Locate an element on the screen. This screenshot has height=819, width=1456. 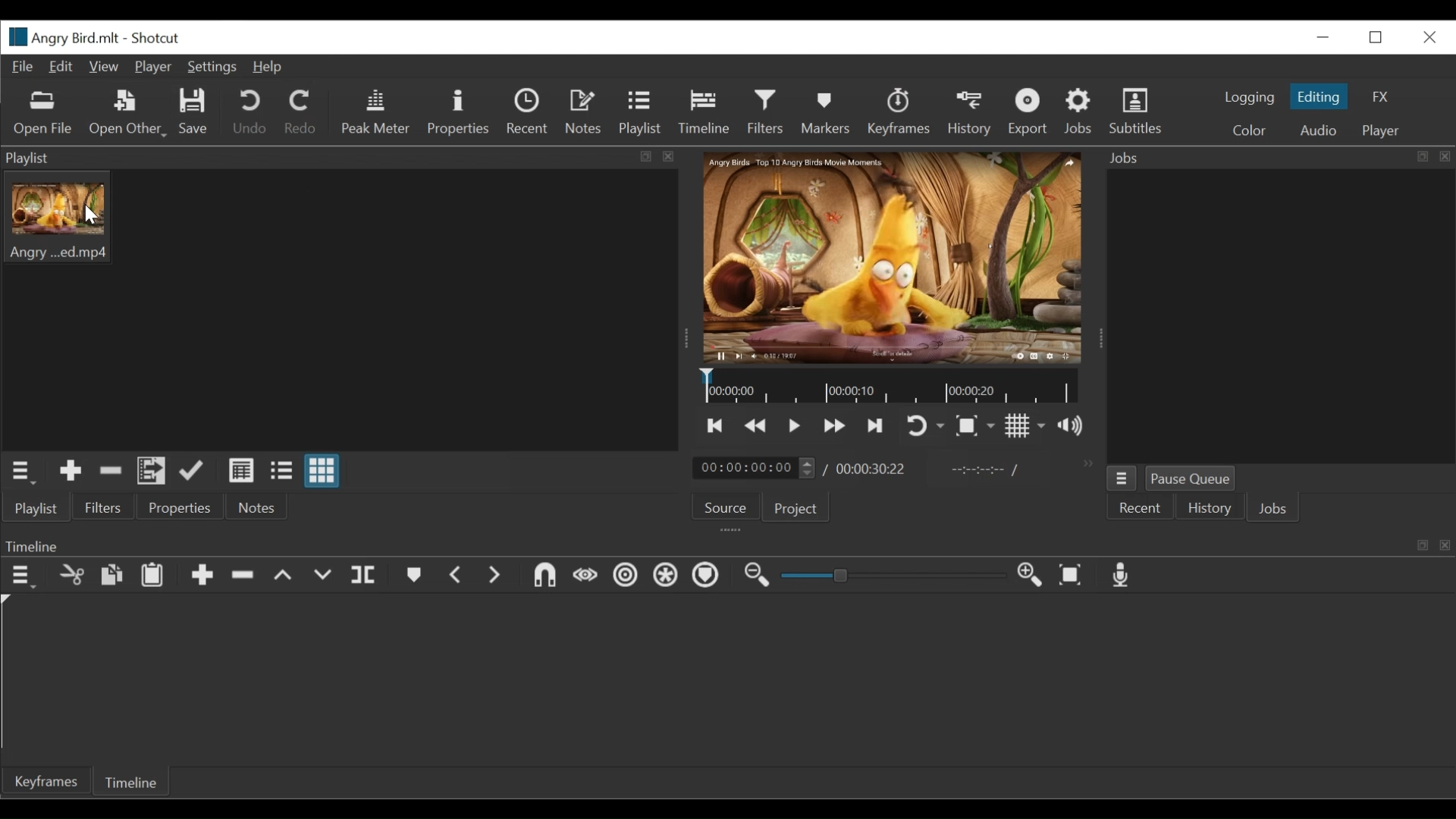
Ripple is located at coordinates (626, 576).